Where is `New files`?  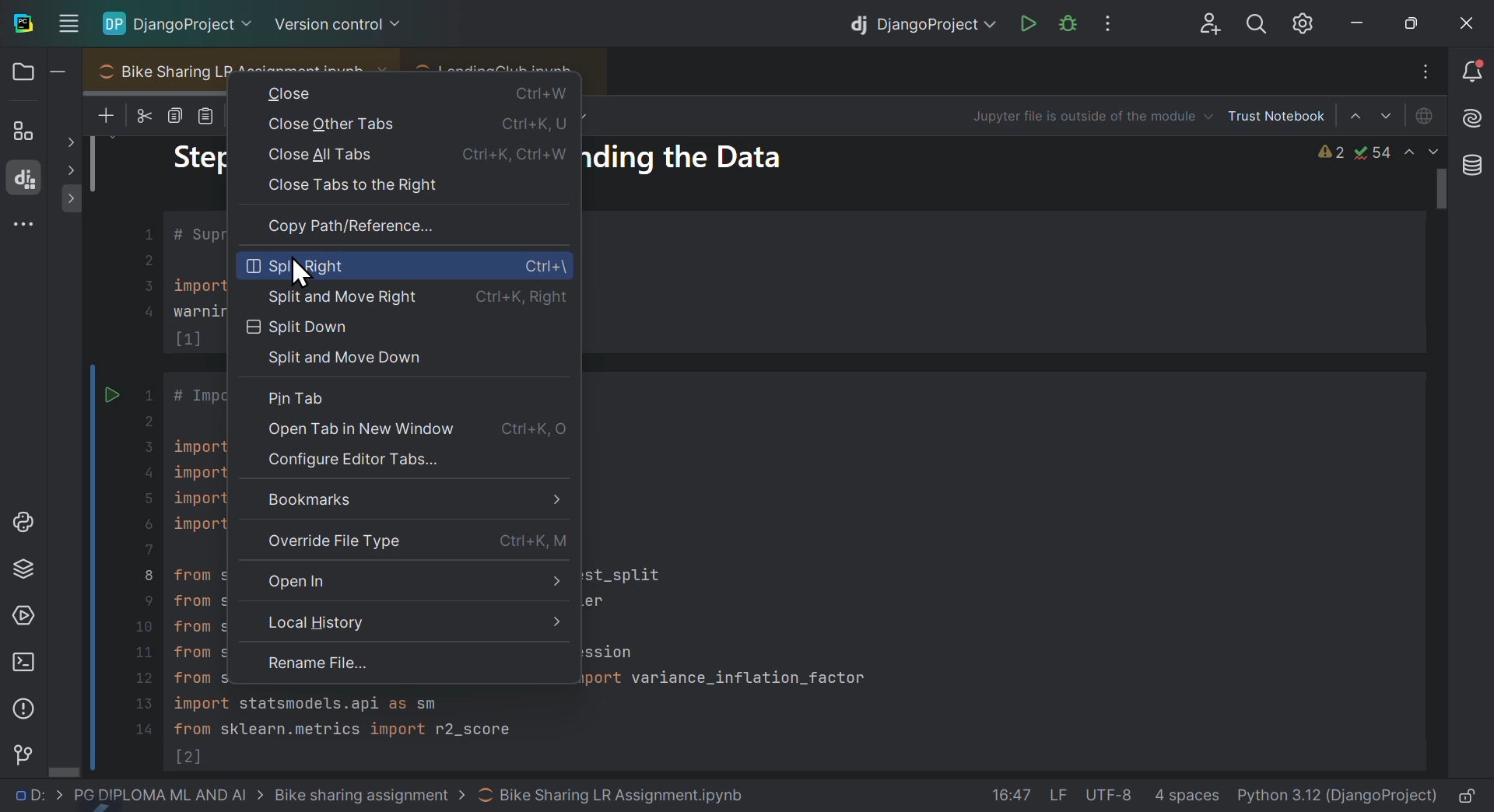
New files is located at coordinates (105, 114).